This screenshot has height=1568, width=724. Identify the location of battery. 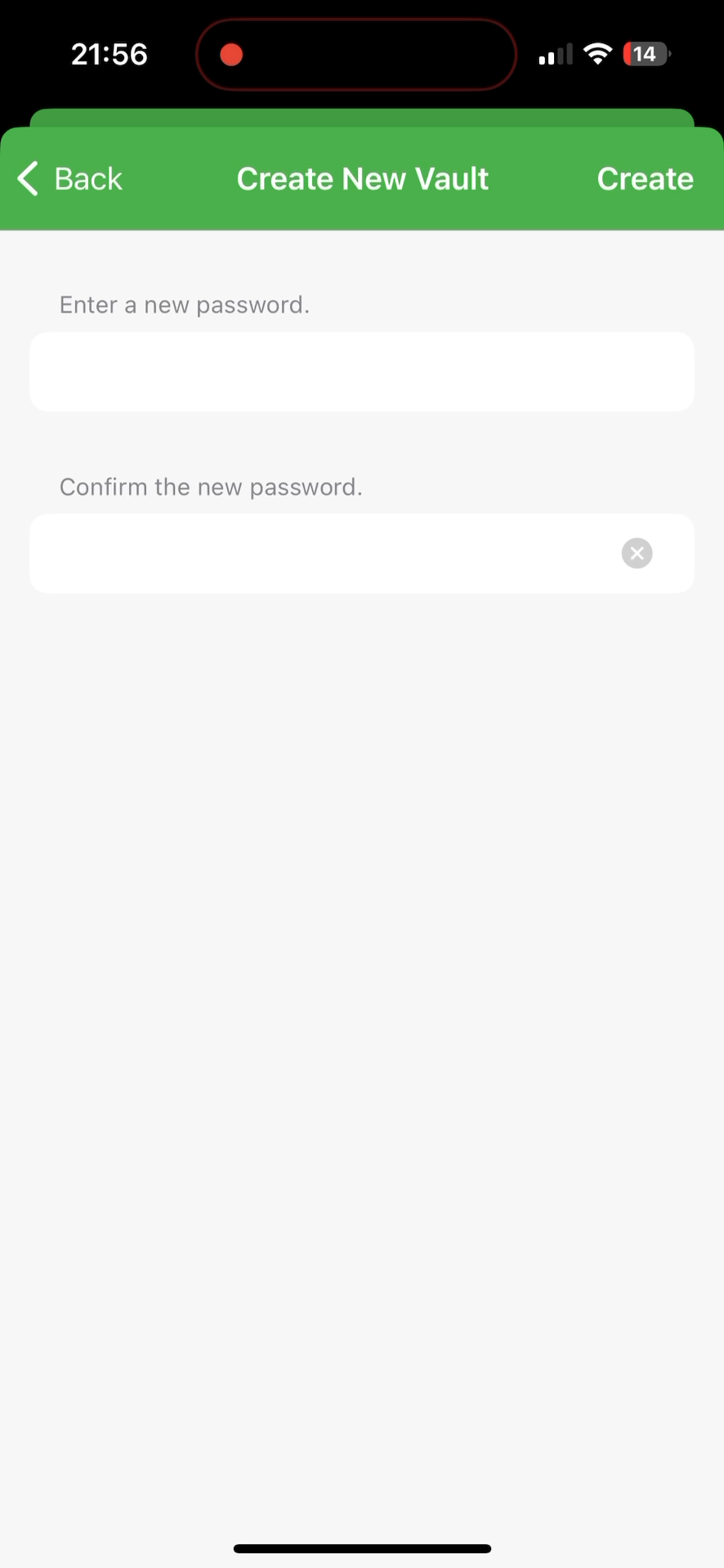
(646, 56).